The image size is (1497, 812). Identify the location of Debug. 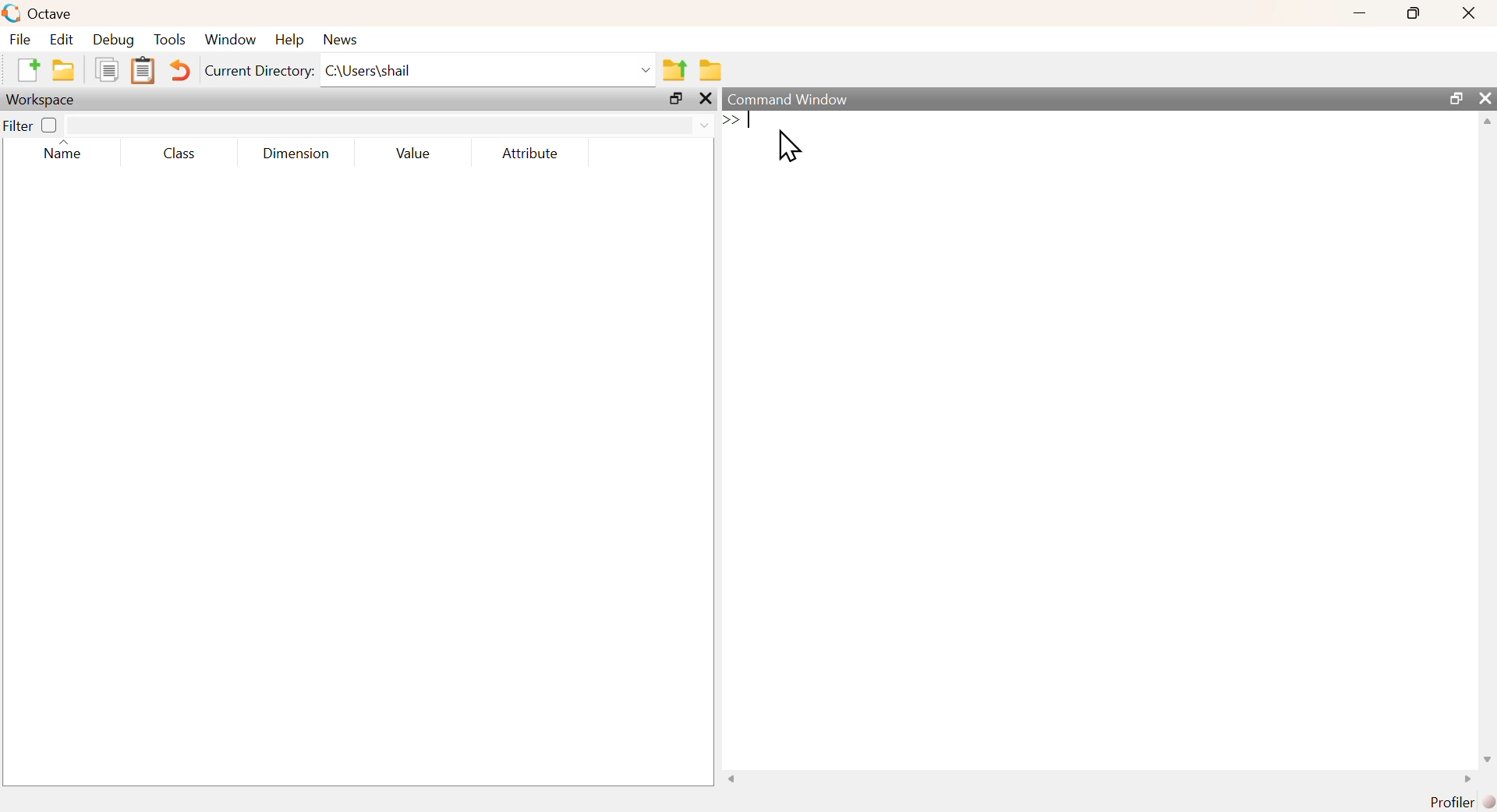
(112, 41).